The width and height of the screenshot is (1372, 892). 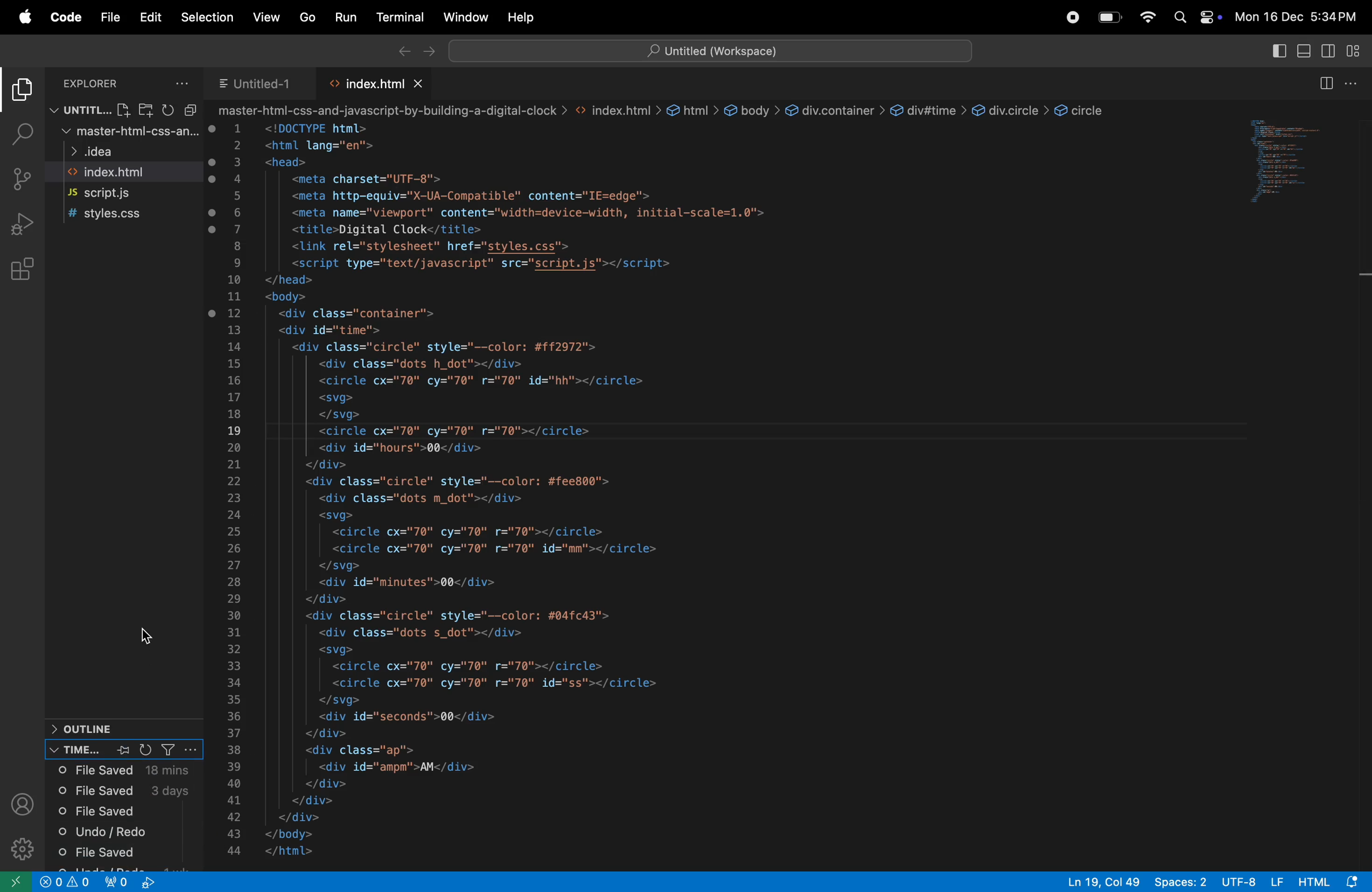 I want to click on record, so click(x=1069, y=17).